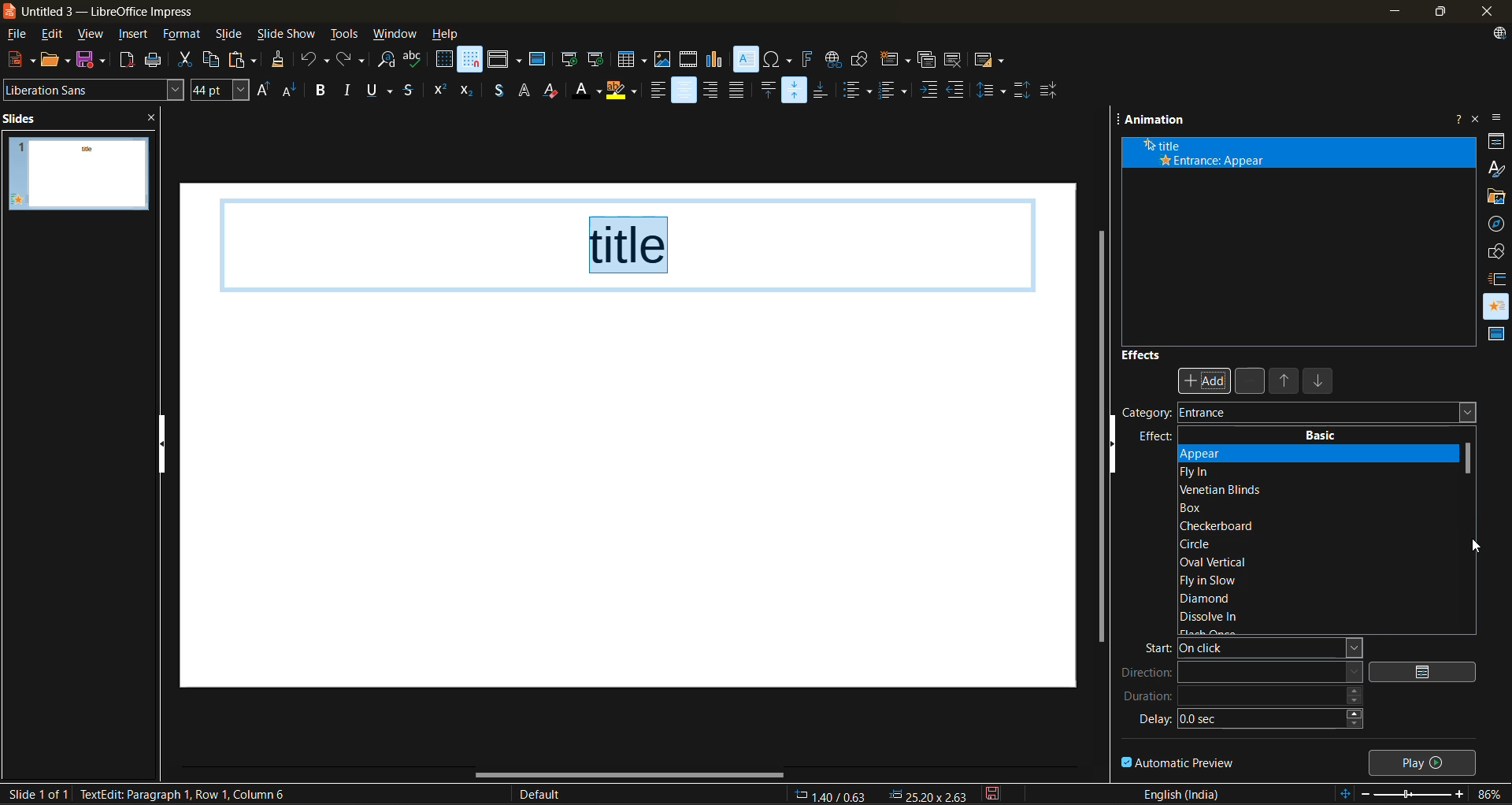 The image size is (1512, 805). What do you see at coordinates (1425, 761) in the screenshot?
I see `play` at bounding box center [1425, 761].